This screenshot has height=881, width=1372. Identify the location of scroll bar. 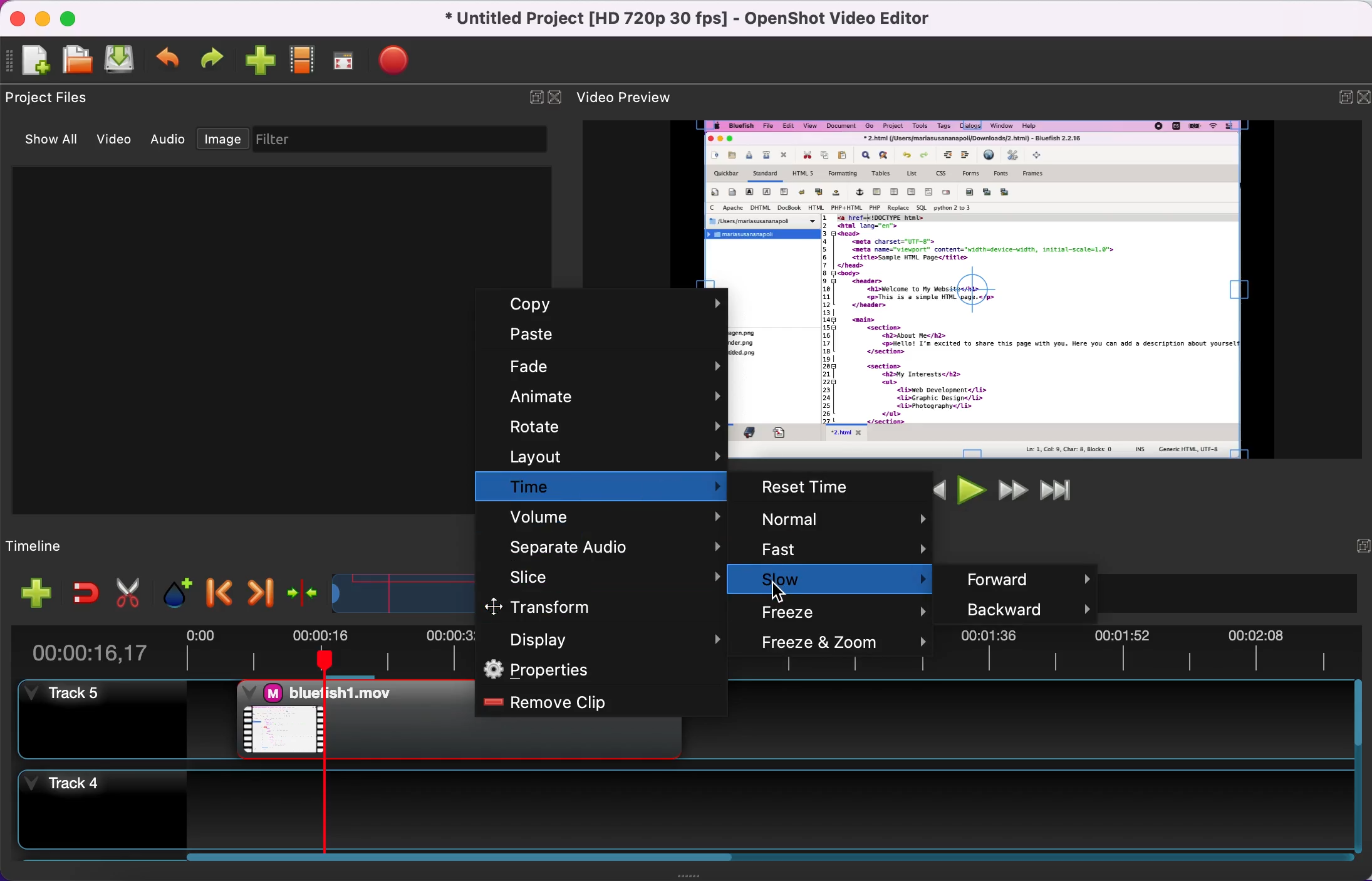
(459, 860).